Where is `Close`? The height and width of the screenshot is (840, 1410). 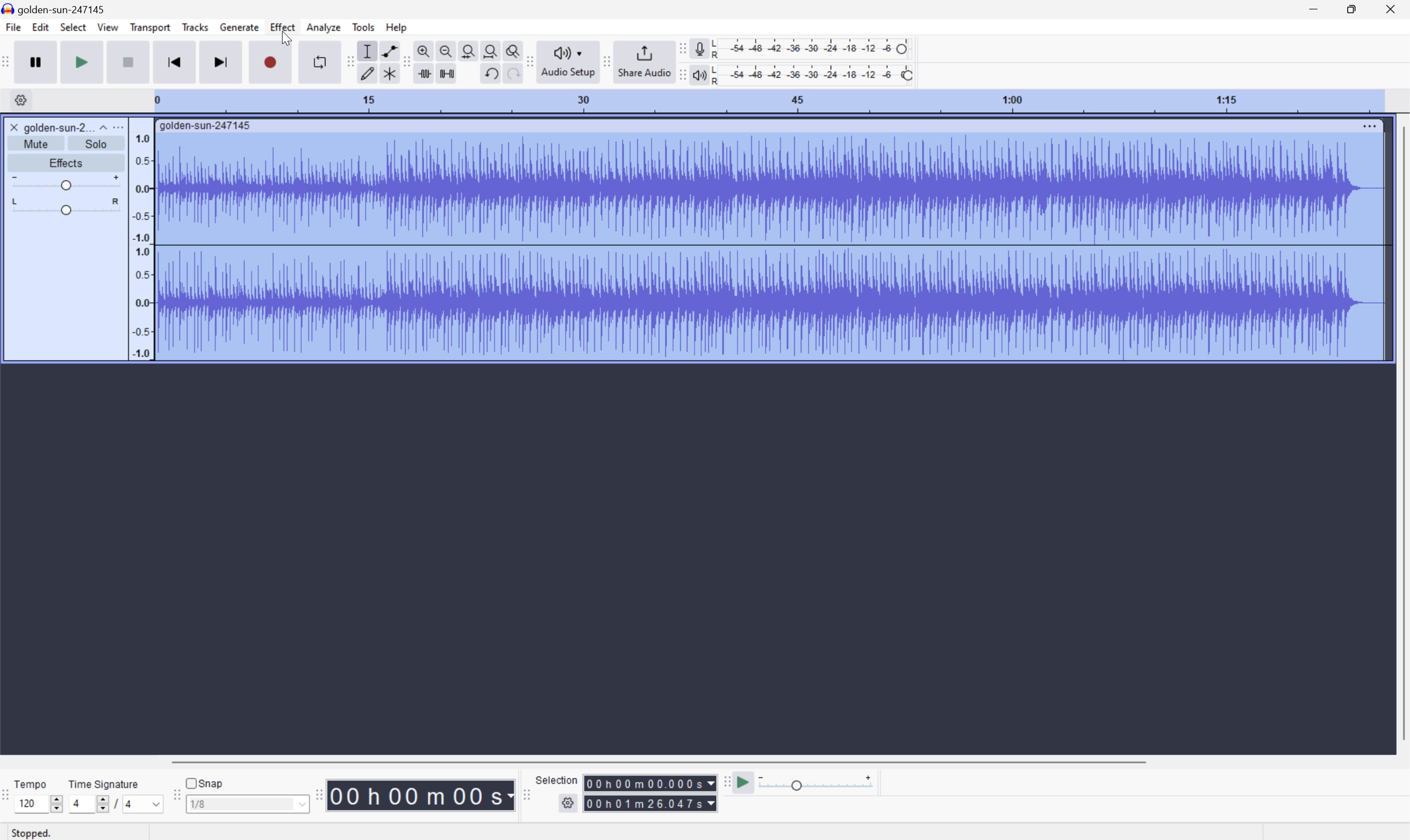 Close is located at coordinates (1394, 8).